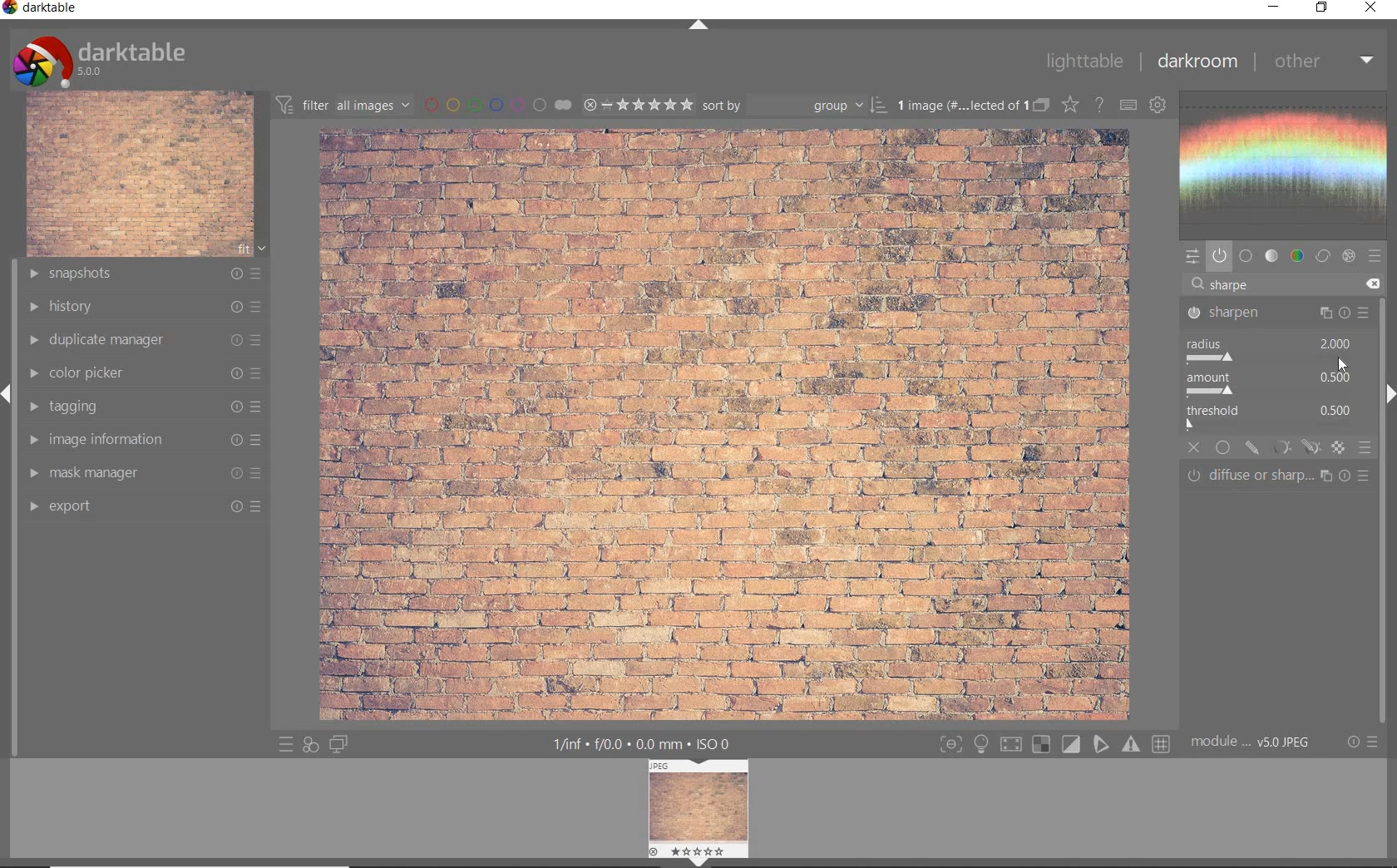  What do you see at coordinates (1069, 104) in the screenshot?
I see `change type of overlay` at bounding box center [1069, 104].